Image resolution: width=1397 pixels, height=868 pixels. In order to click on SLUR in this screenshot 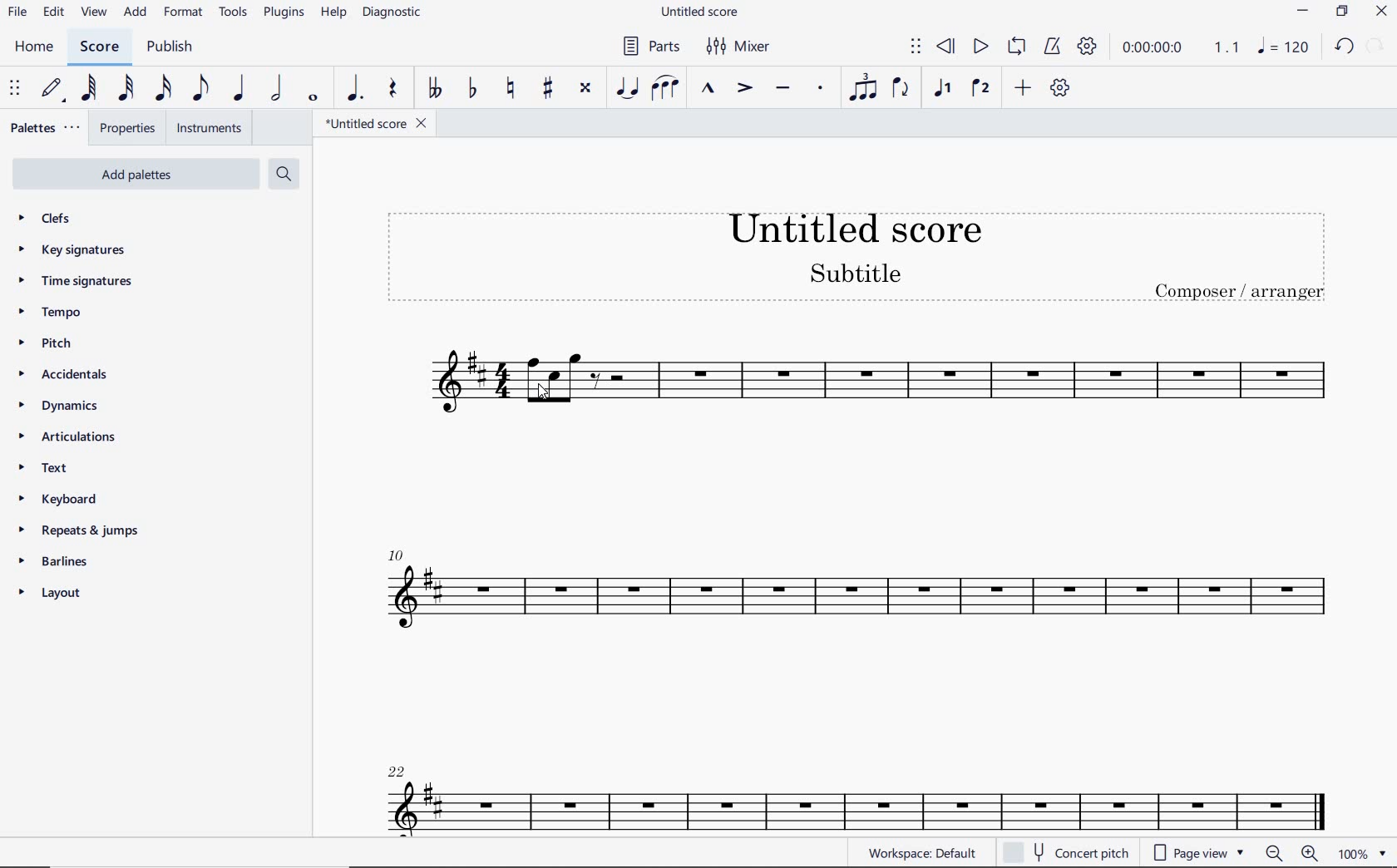, I will do `click(666, 89)`.